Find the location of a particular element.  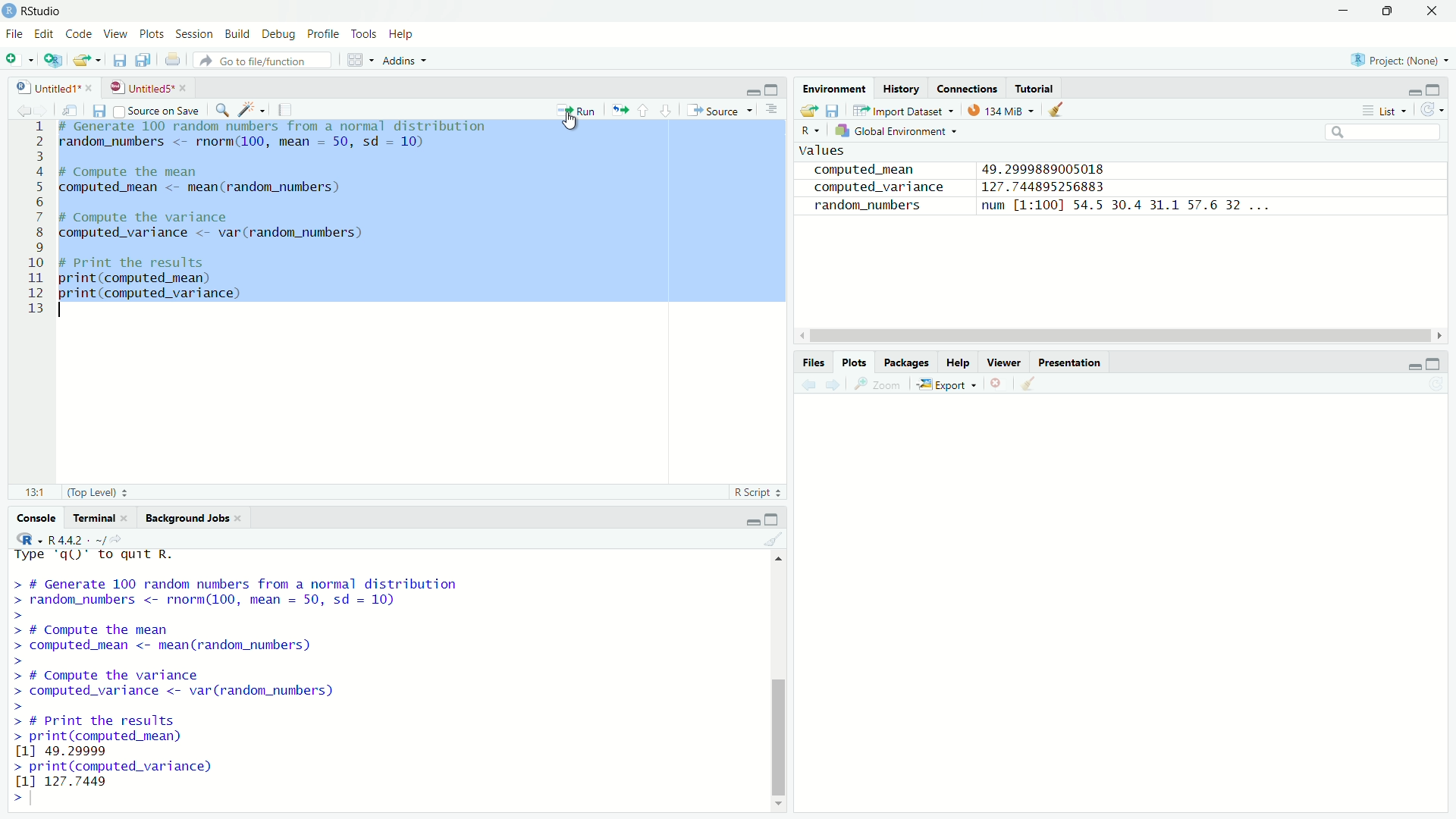

create a project is located at coordinates (56, 60).